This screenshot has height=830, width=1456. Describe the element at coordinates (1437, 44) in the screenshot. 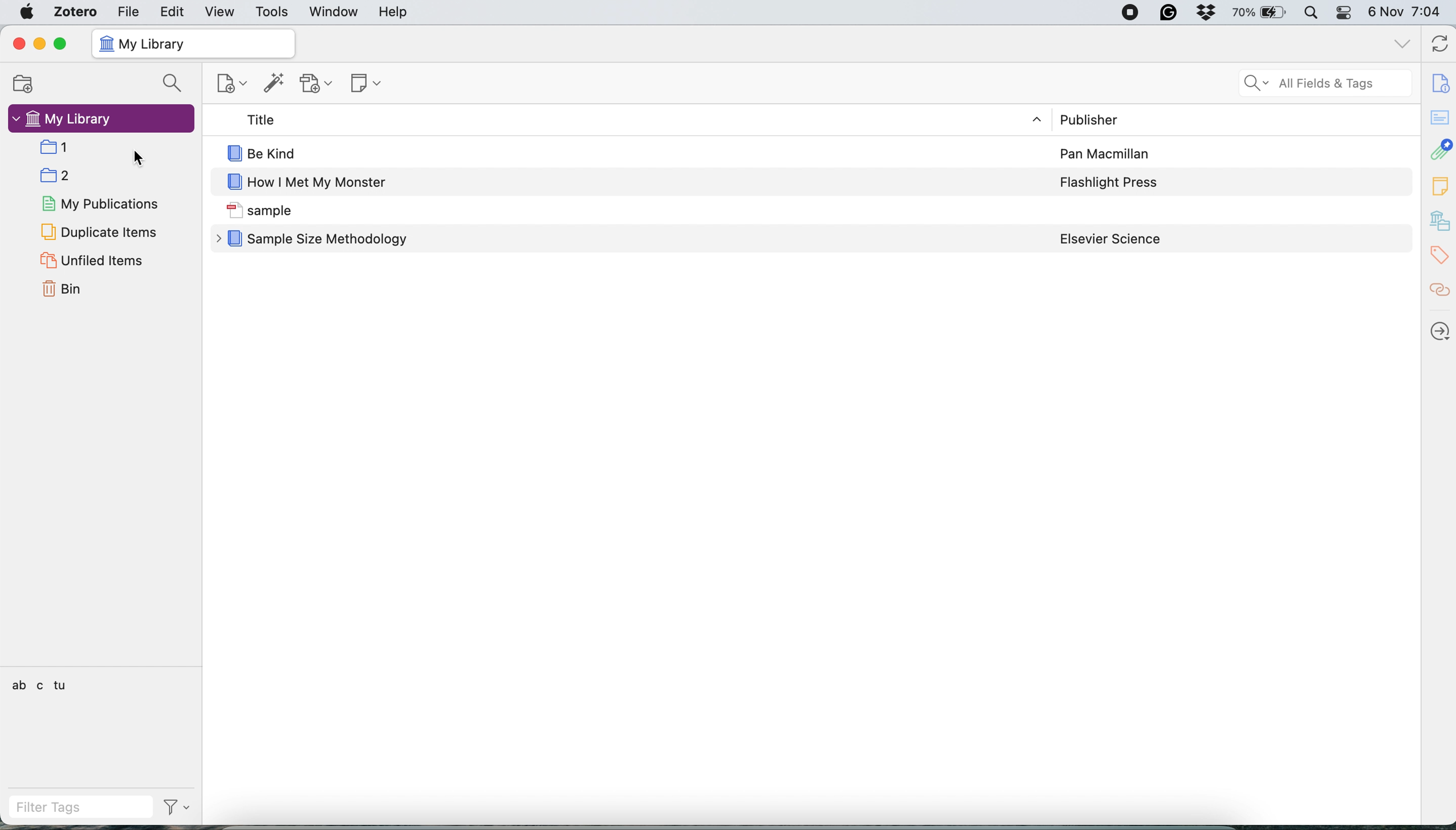

I see `refresh` at that location.